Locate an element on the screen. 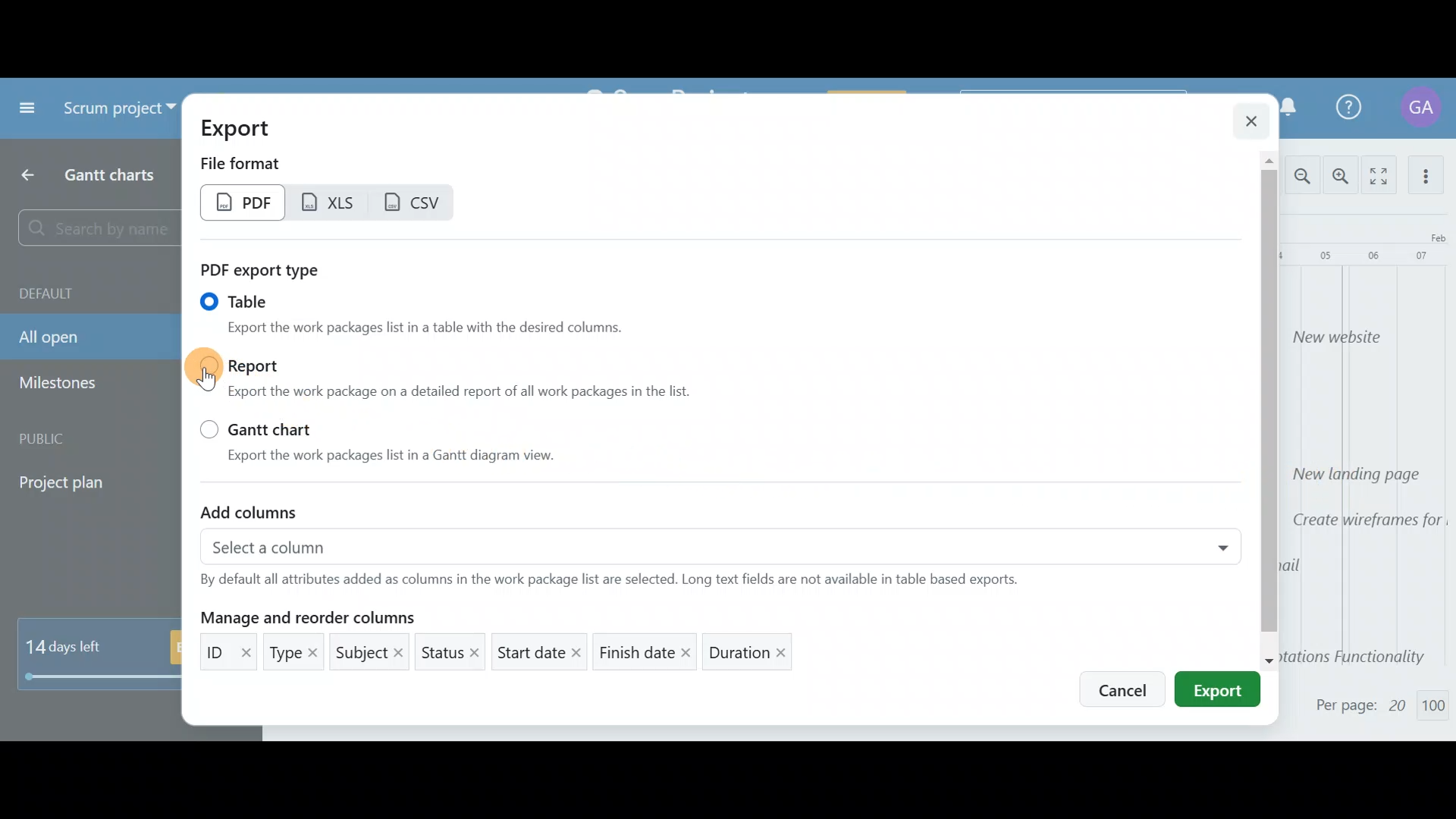  14 days left - Buy now is located at coordinates (101, 654).